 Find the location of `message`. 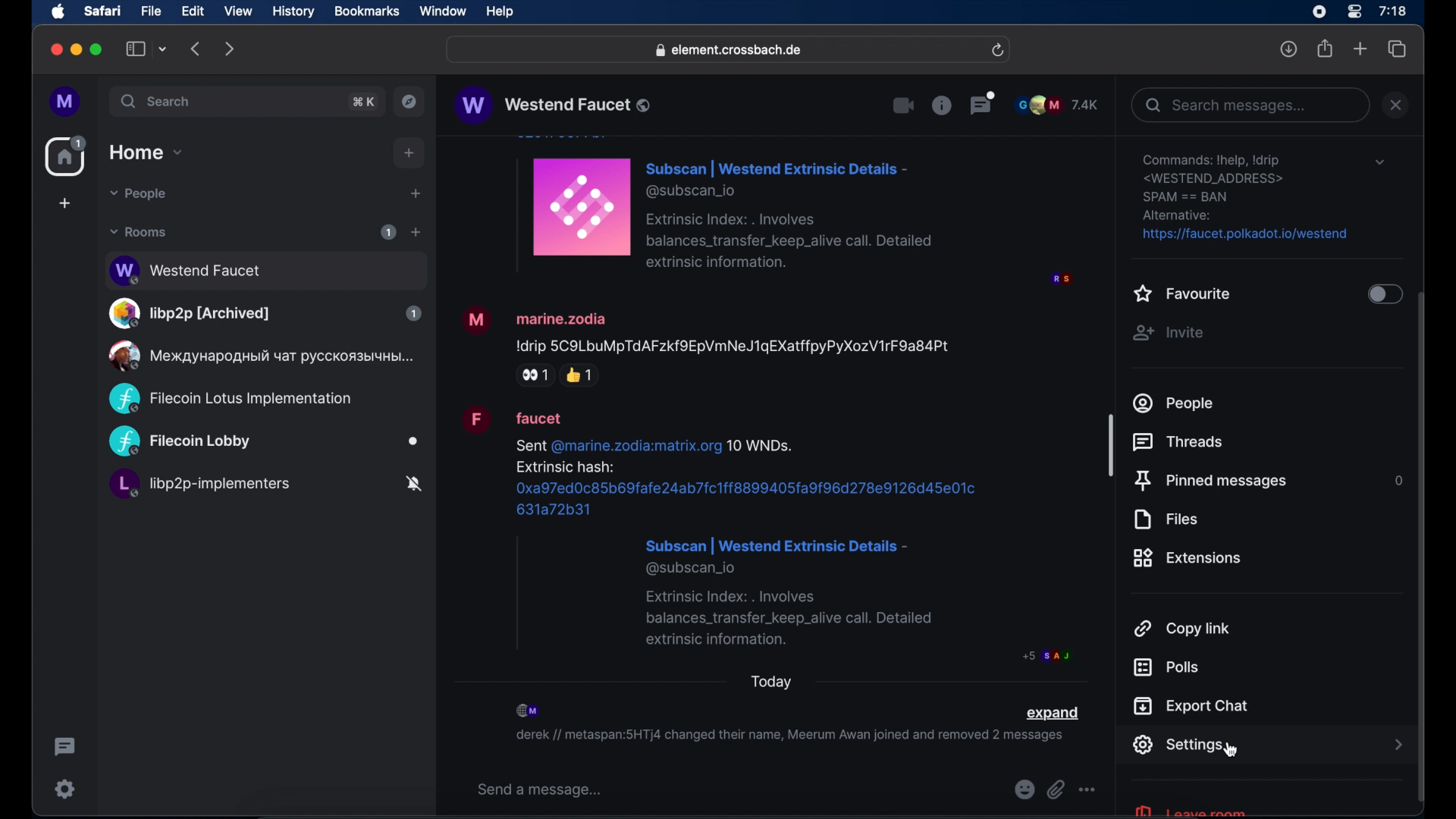

message is located at coordinates (766, 535).